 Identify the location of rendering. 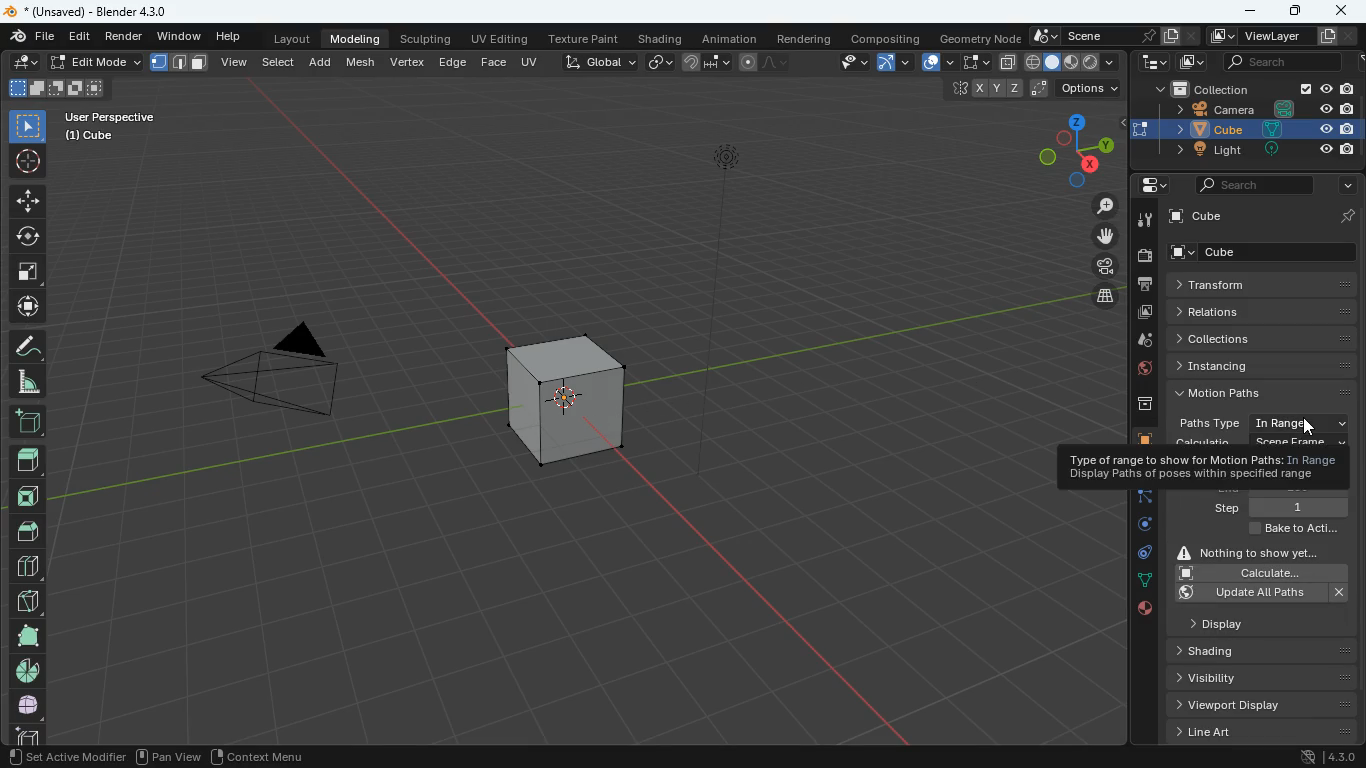
(805, 39).